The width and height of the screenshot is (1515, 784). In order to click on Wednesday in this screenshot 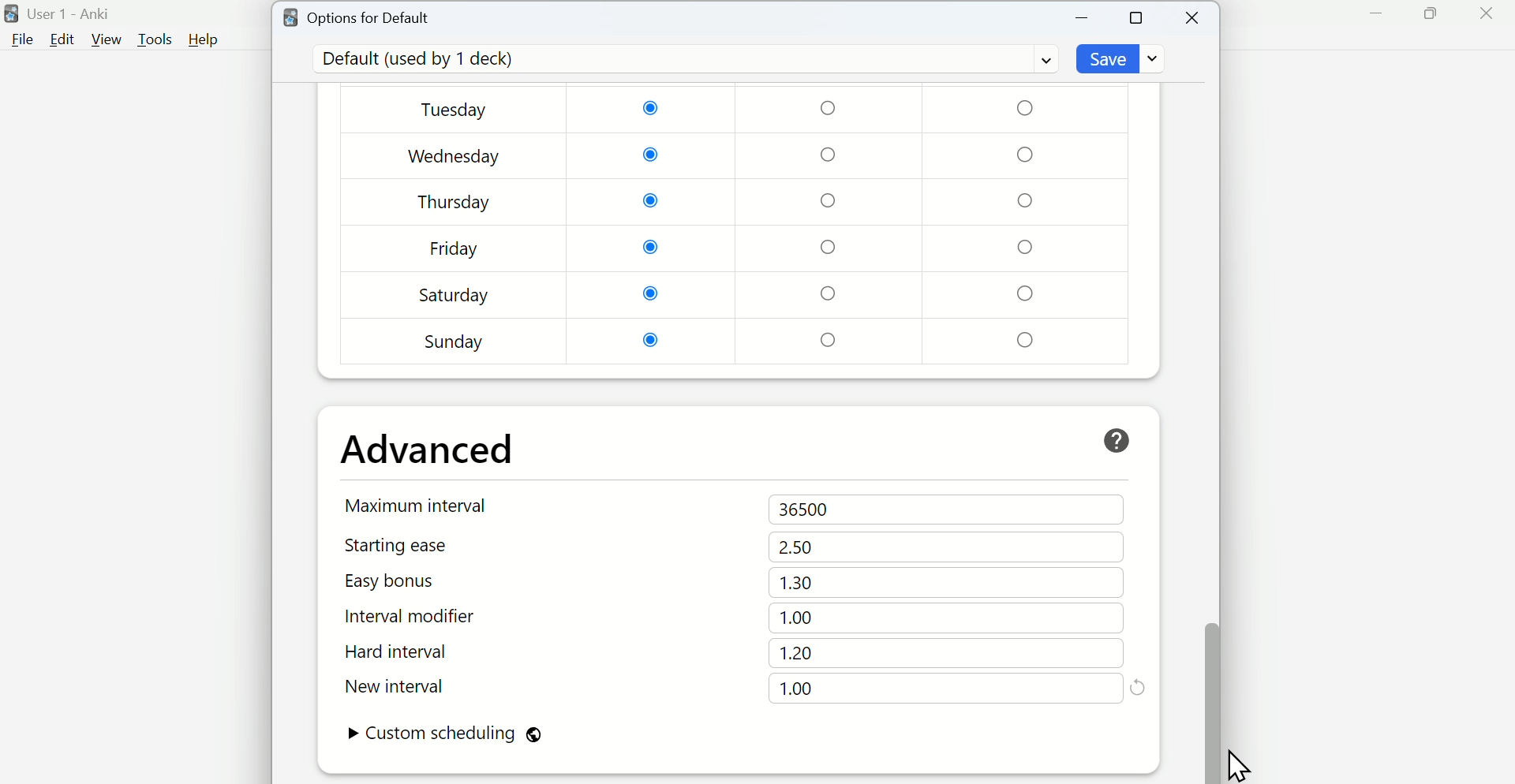, I will do `click(455, 157)`.